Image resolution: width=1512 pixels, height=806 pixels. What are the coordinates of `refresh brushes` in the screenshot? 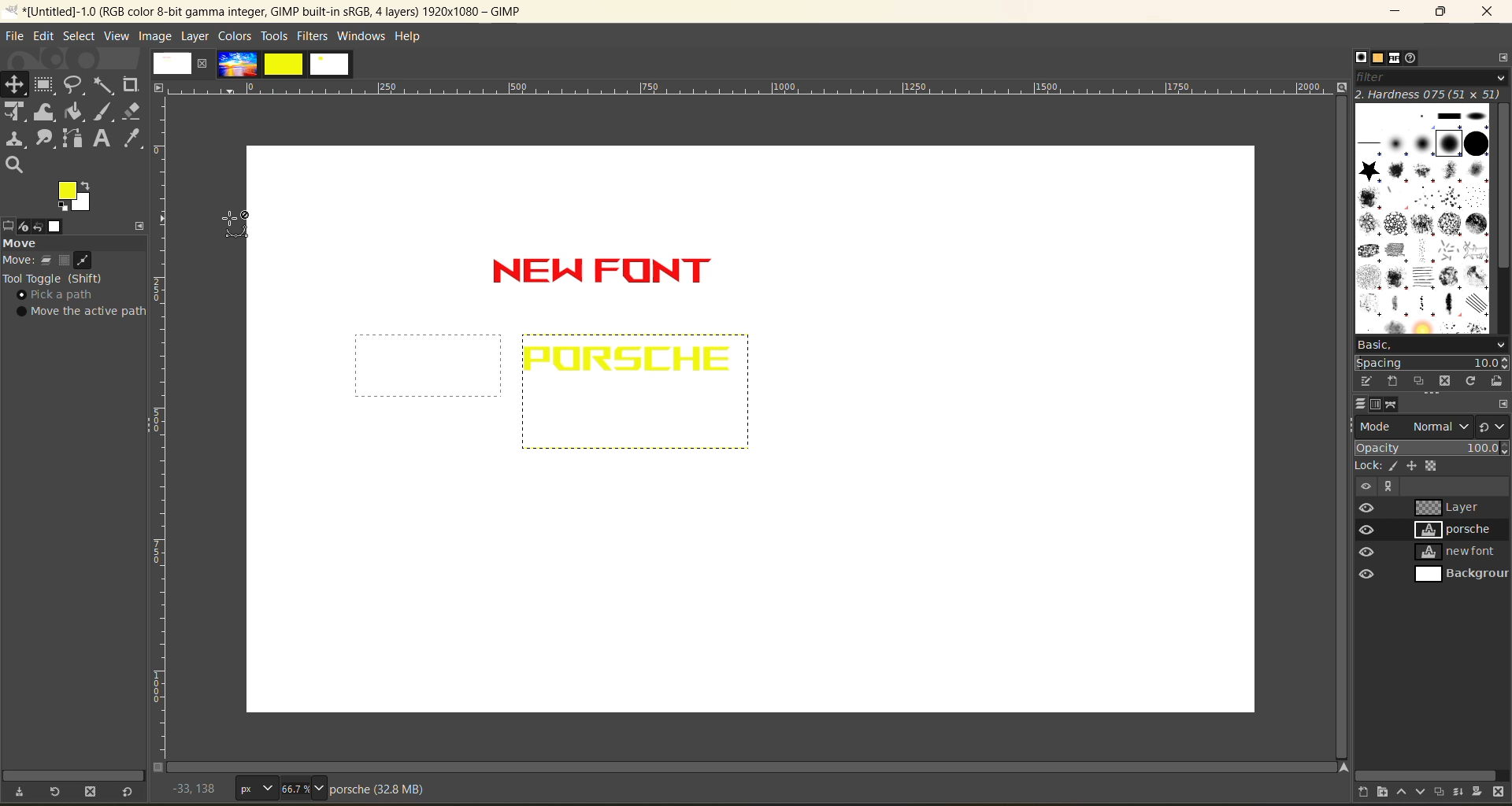 It's located at (1467, 381).